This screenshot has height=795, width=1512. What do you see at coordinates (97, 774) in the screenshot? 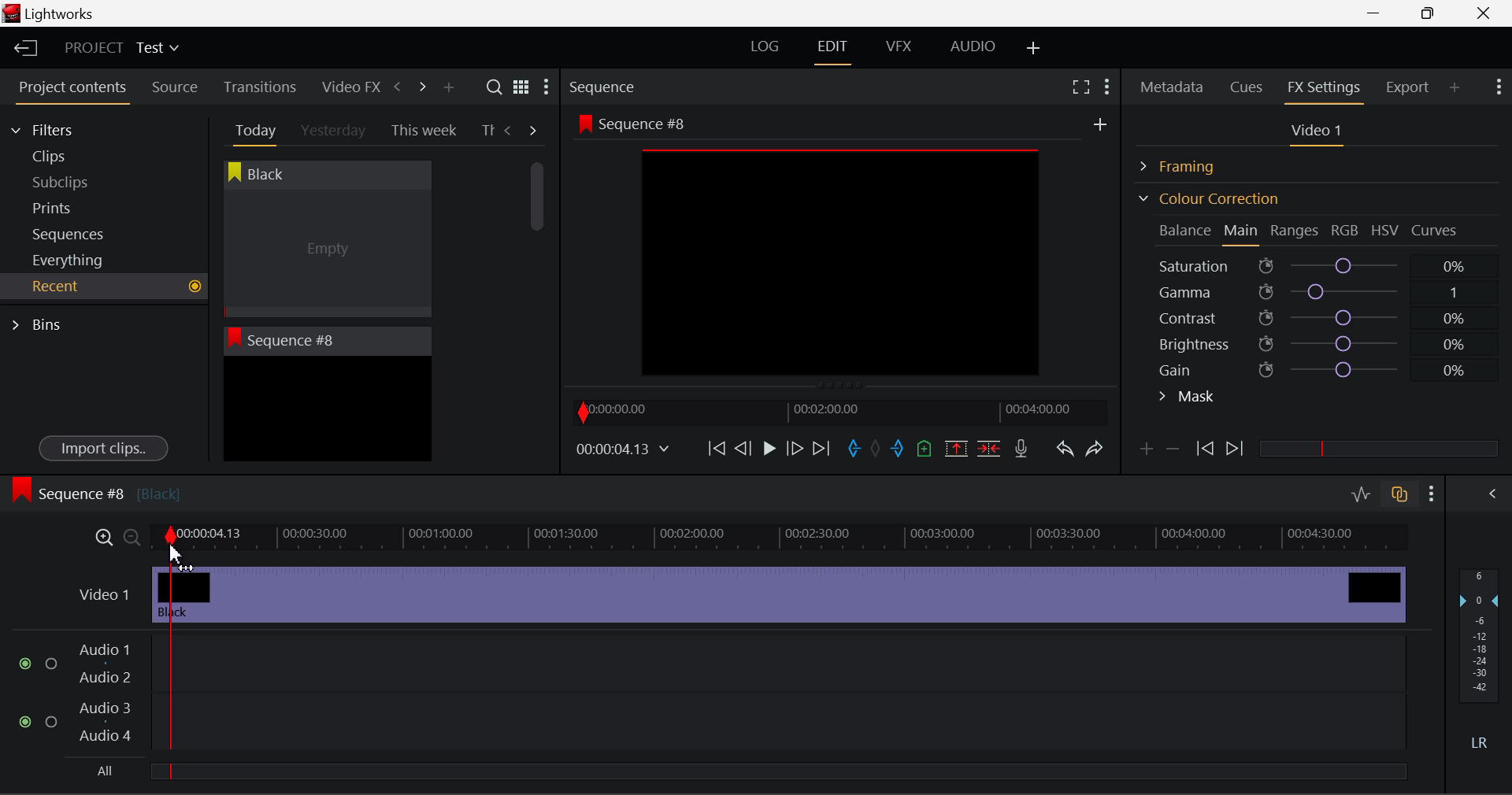
I see `All` at bounding box center [97, 774].